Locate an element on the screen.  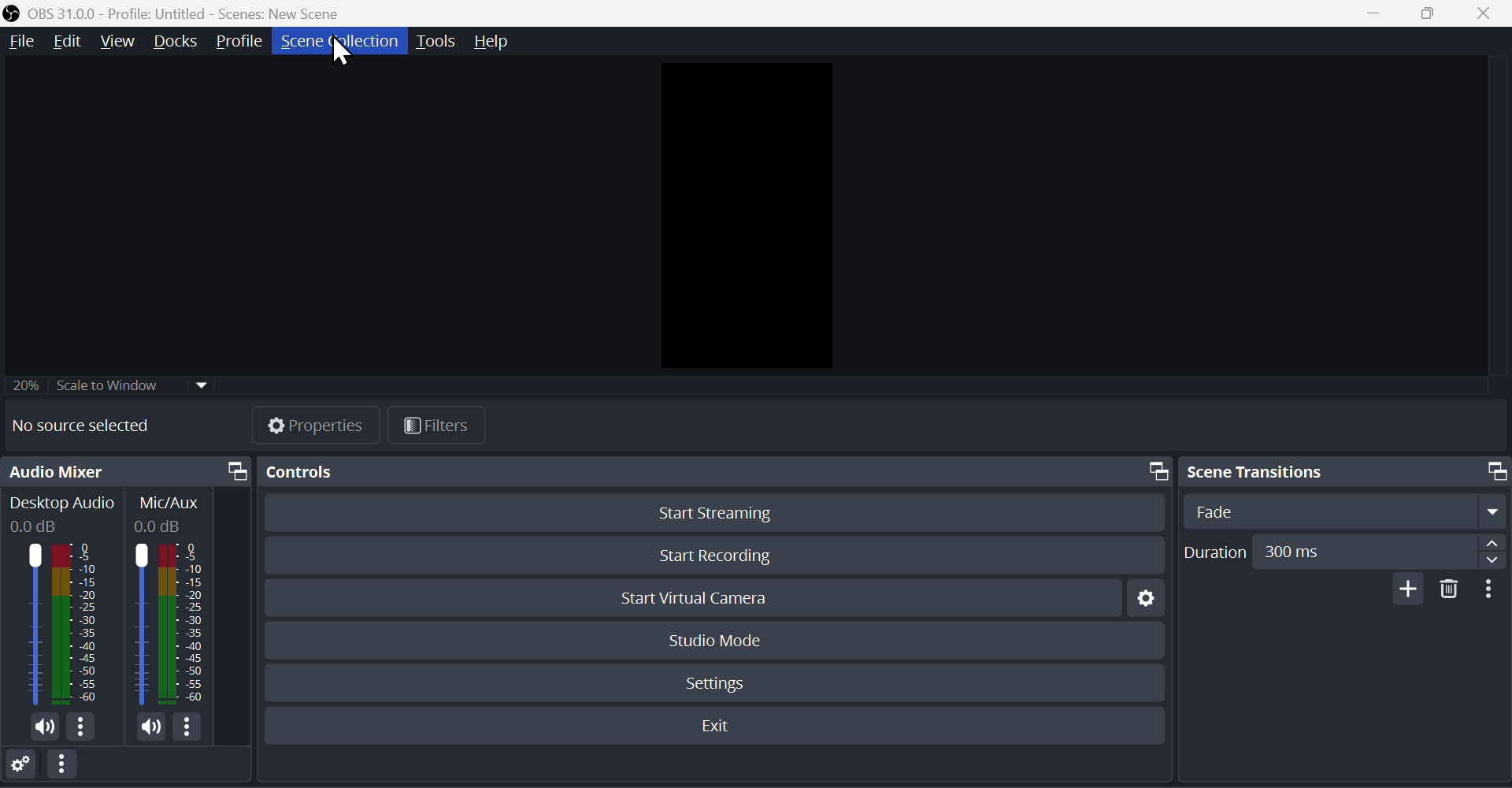
Scale to window is located at coordinates (112, 383).